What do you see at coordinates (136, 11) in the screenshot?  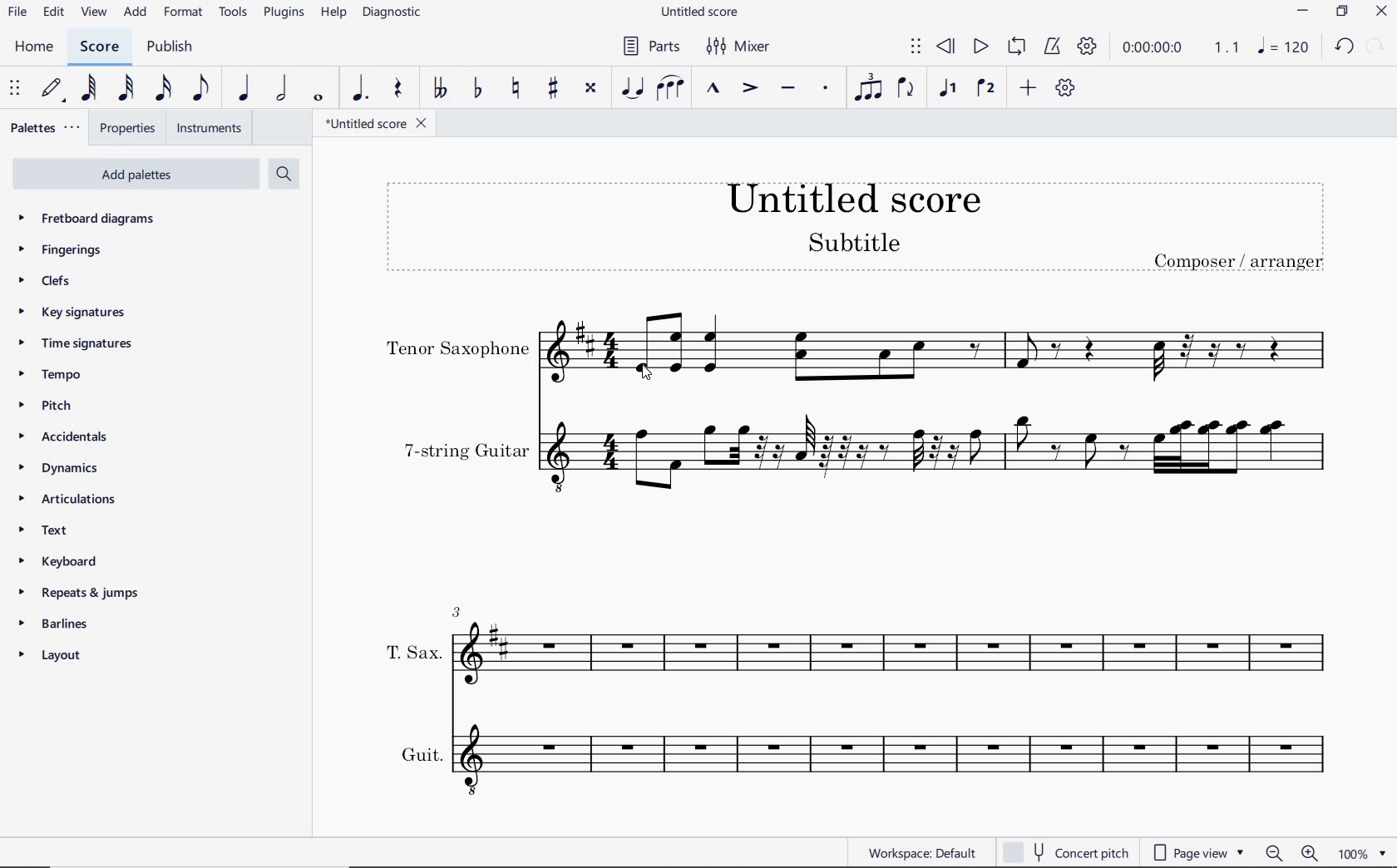 I see `ADD` at bounding box center [136, 11].